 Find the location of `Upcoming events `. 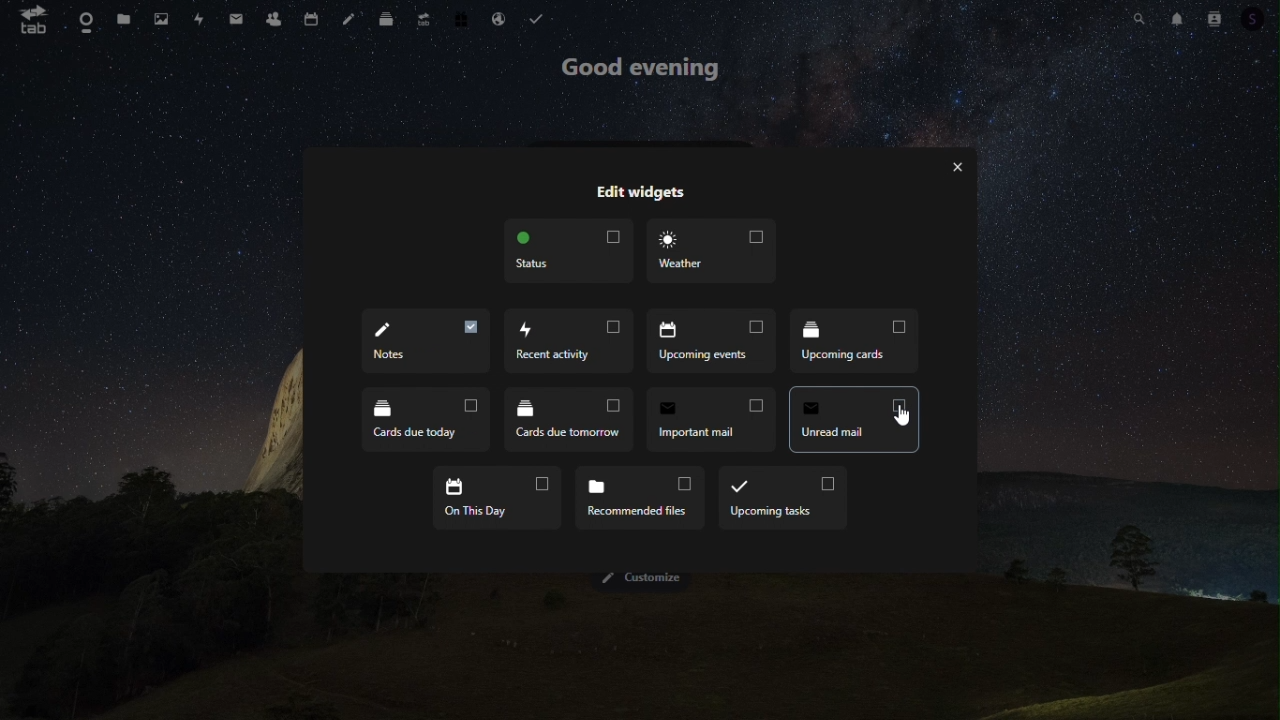

Upcoming events  is located at coordinates (564, 341).